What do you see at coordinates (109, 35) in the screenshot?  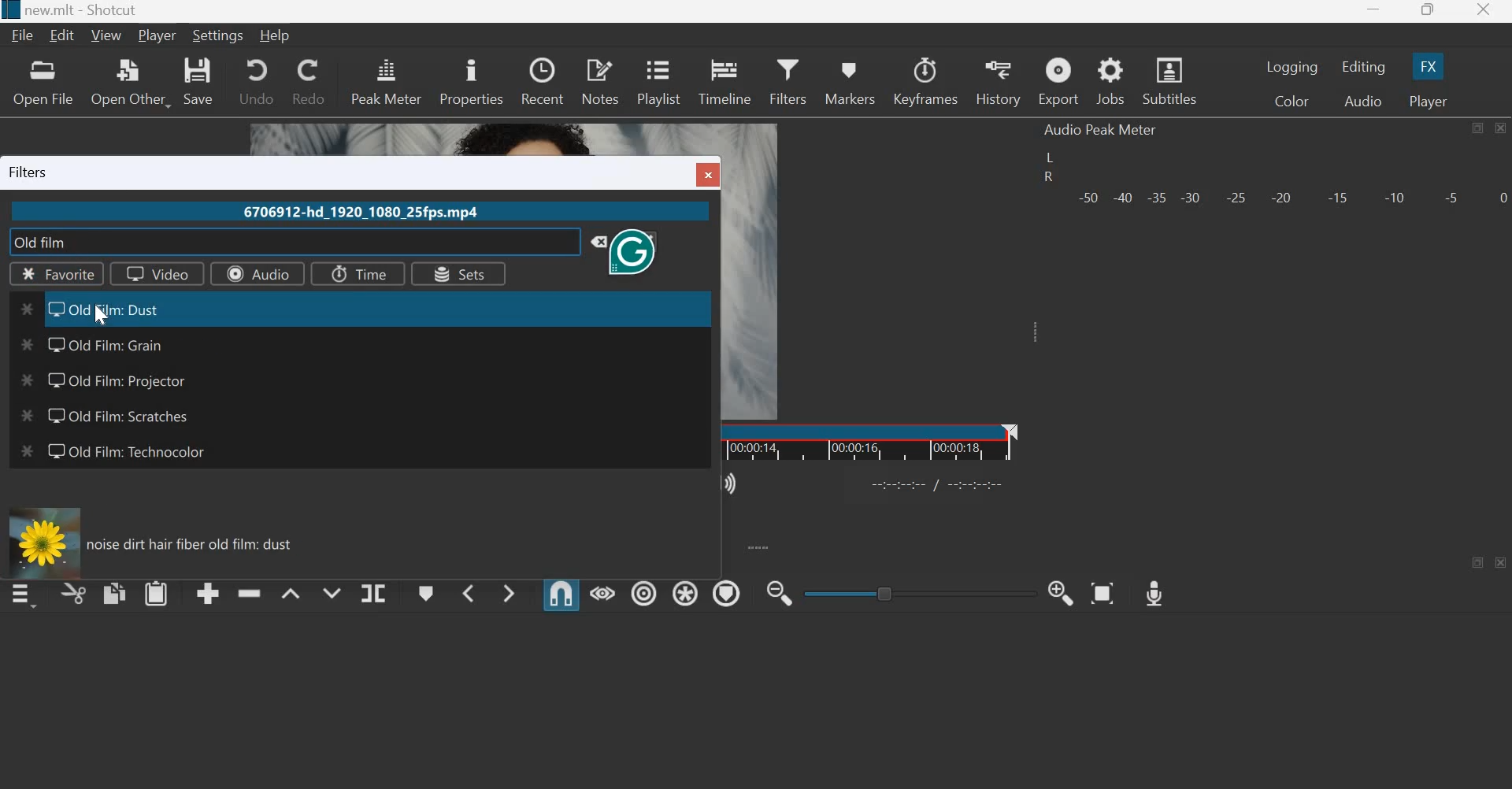 I see `View` at bounding box center [109, 35].